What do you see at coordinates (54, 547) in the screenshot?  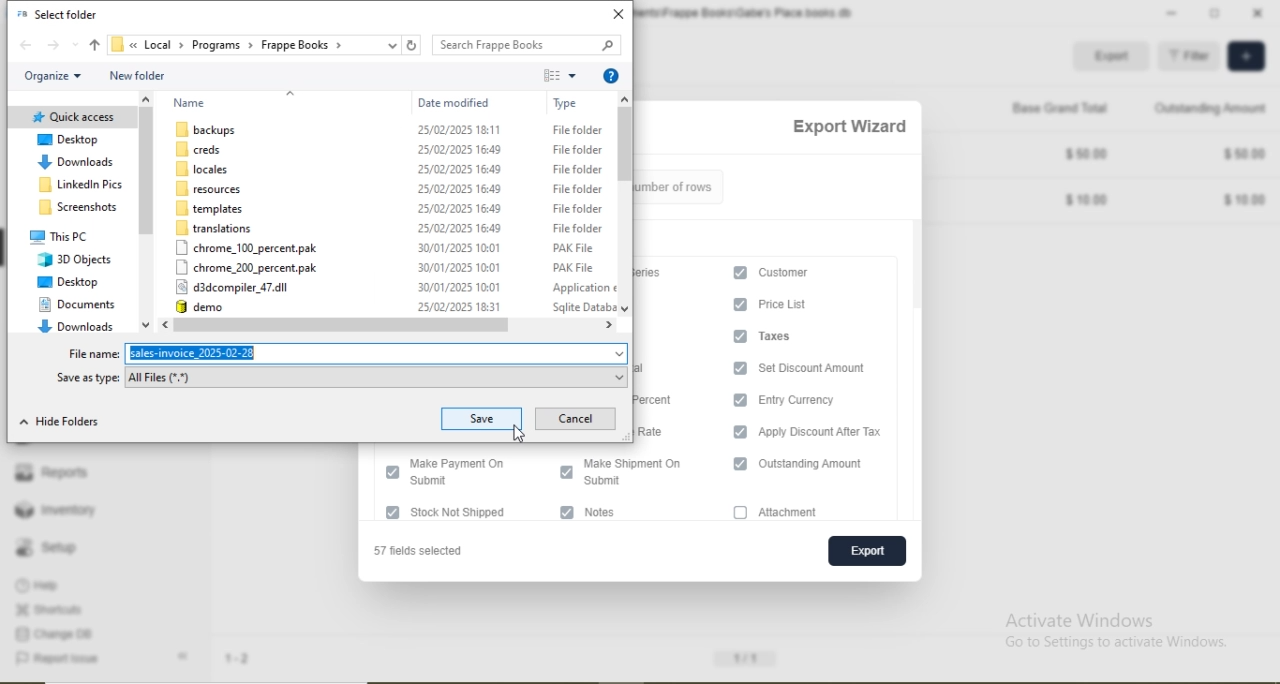 I see `Setup` at bounding box center [54, 547].